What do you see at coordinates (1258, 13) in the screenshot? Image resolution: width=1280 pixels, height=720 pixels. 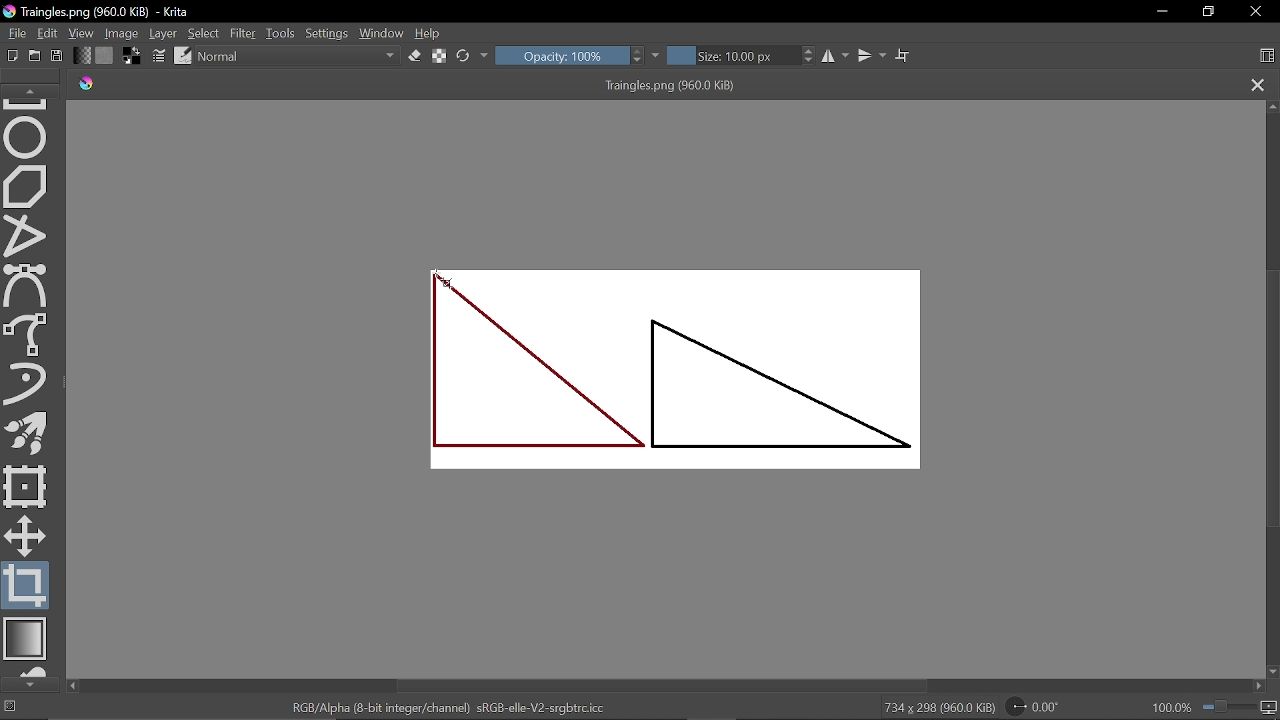 I see `Close` at bounding box center [1258, 13].